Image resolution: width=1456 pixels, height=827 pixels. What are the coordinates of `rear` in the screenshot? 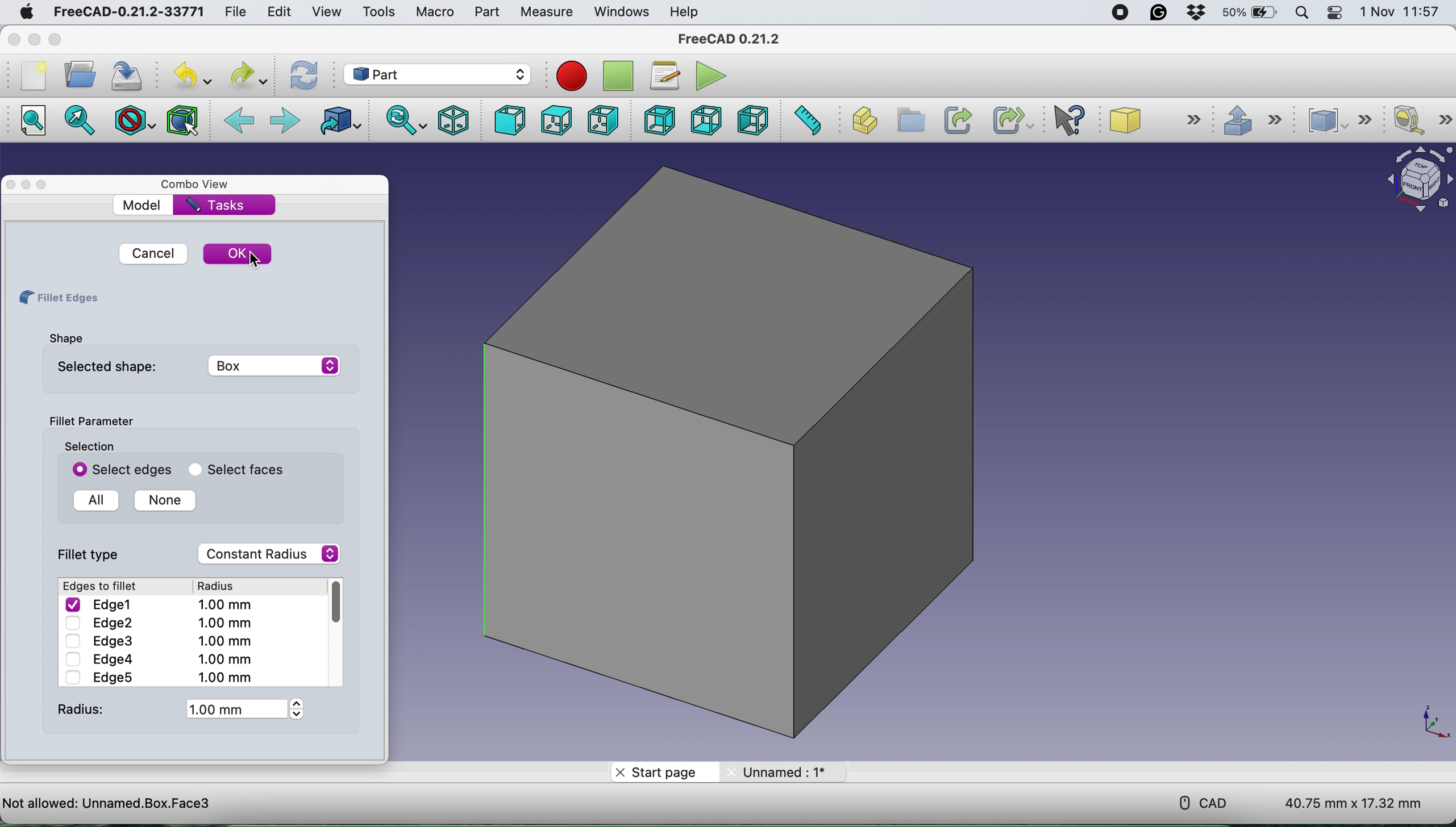 It's located at (659, 120).